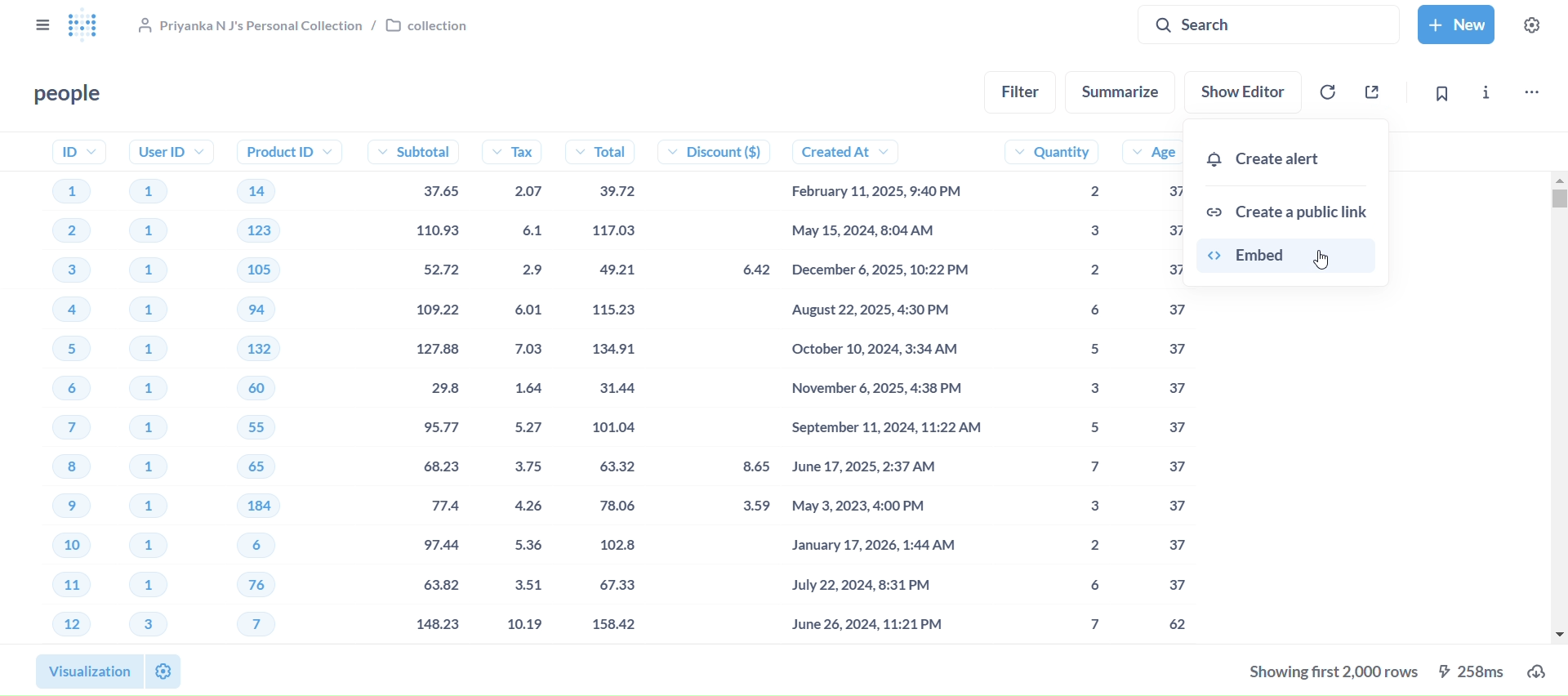 The height and width of the screenshot is (696, 1568). What do you see at coordinates (1324, 261) in the screenshot?
I see `cursor` at bounding box center [1324, 261].